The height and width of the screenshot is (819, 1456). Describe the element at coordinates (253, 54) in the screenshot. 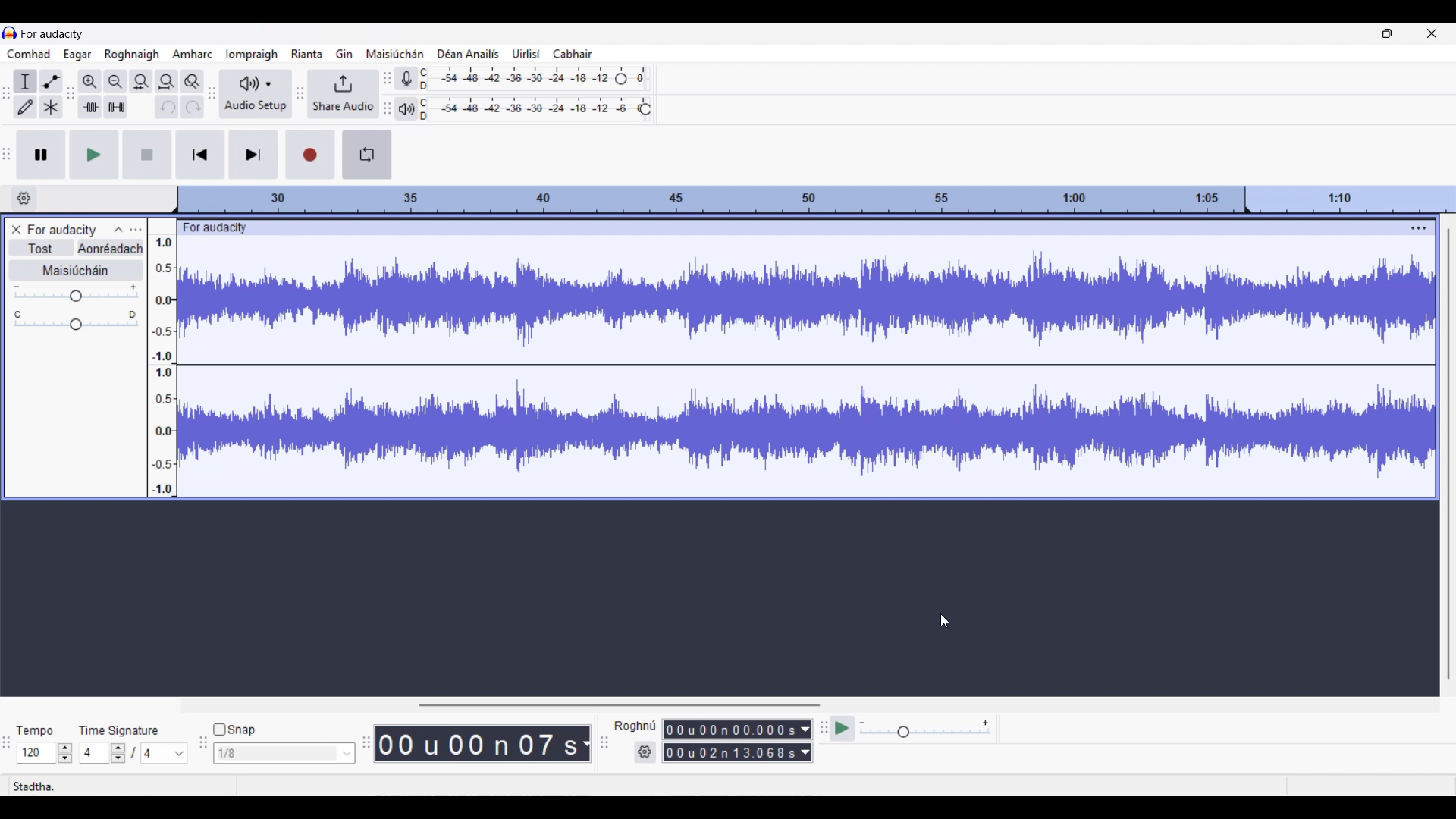

I see `lompraigh` at that location.